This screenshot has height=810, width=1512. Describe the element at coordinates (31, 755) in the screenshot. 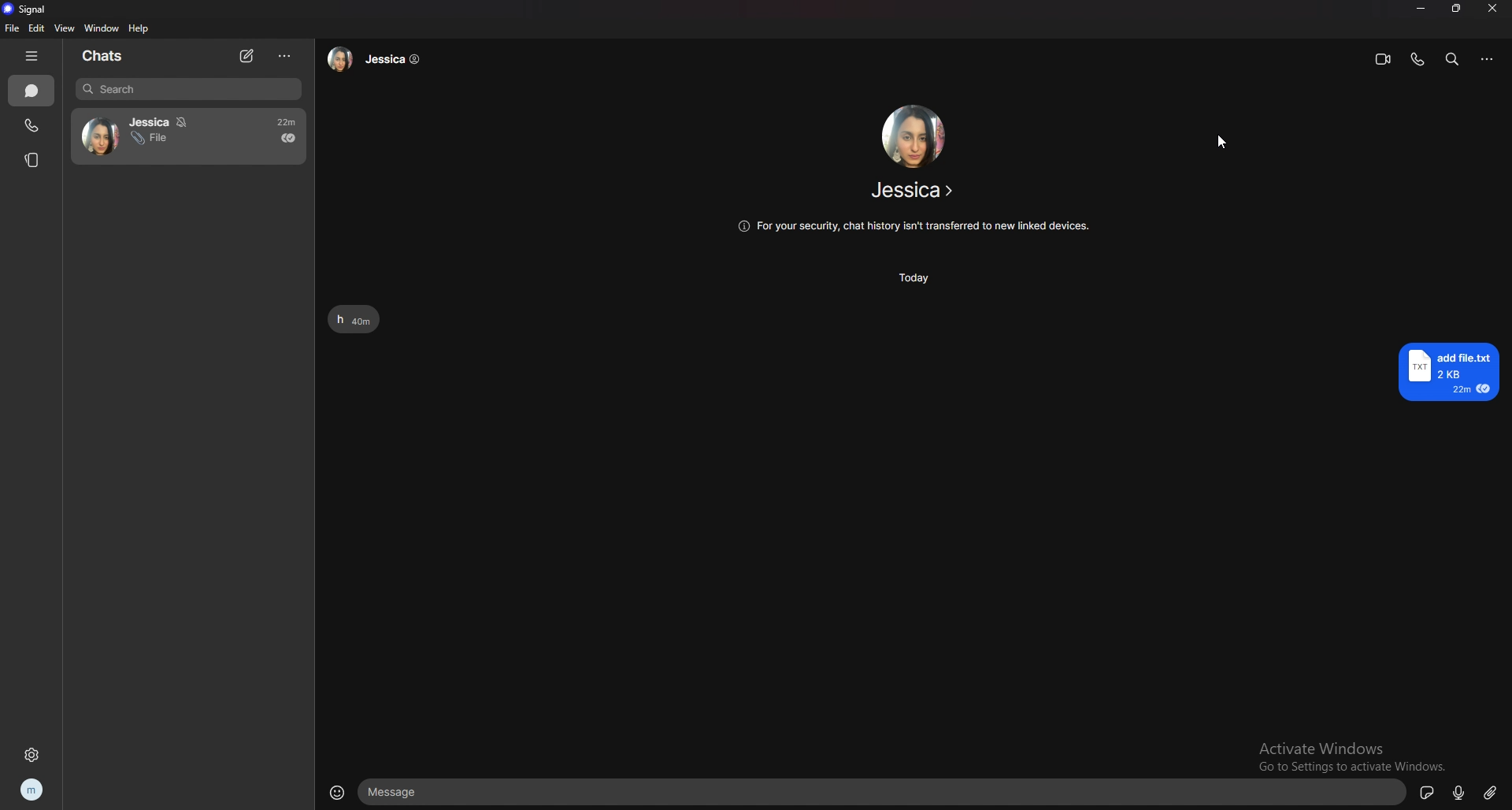

I see `settings` at that location.